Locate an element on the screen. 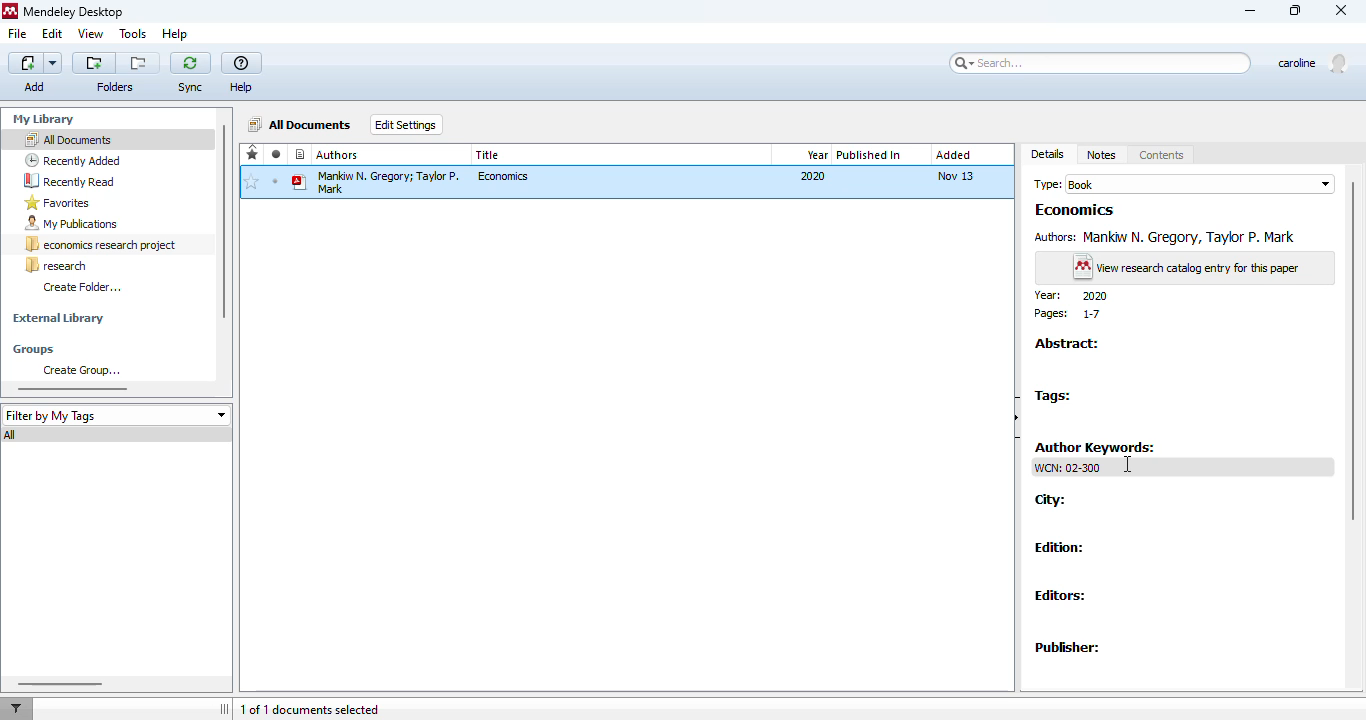 This screenshot has width=1366, height=720. details is located at coordinates (1048, 154).